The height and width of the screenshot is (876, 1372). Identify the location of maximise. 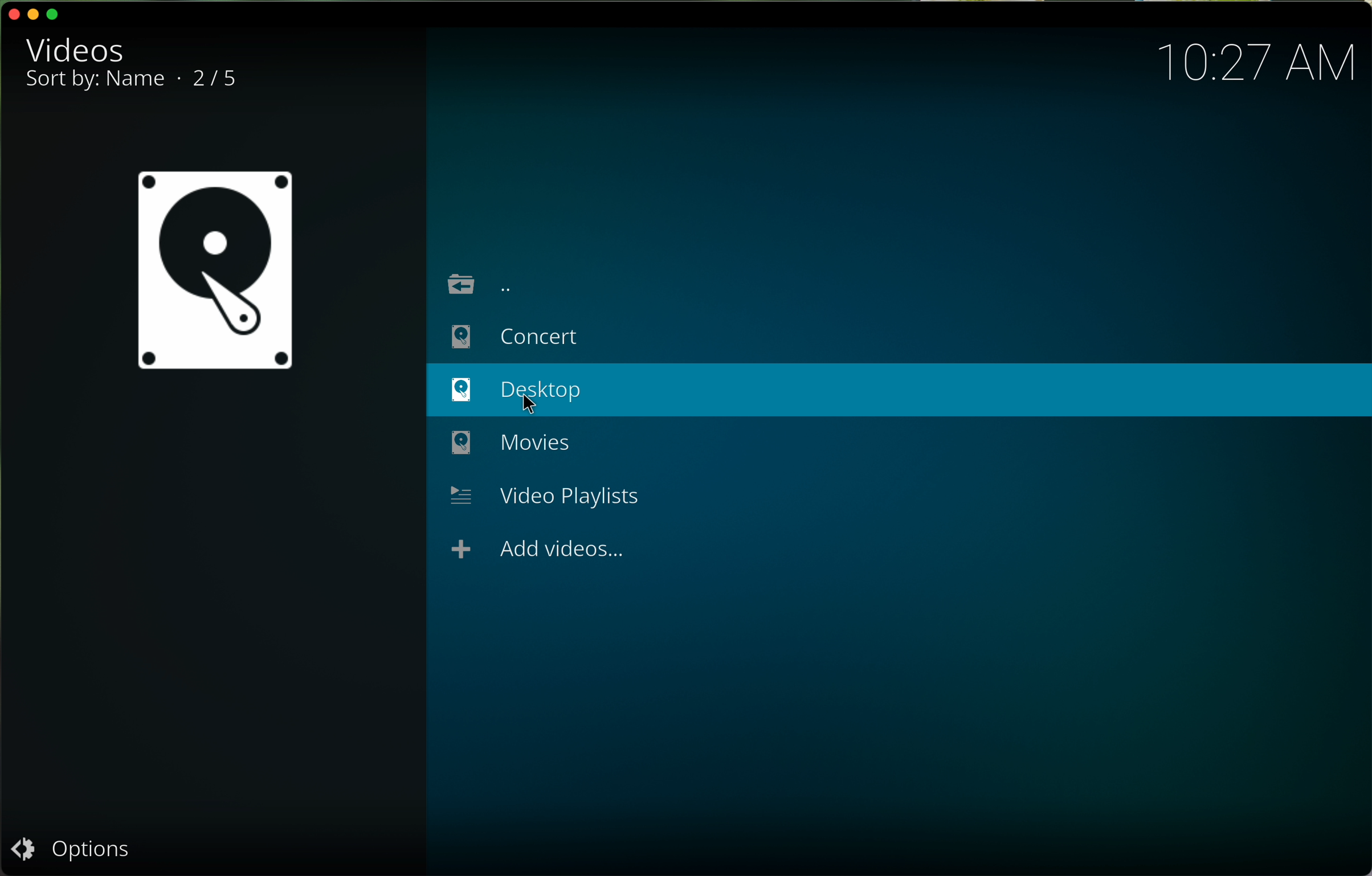
(59, 13).